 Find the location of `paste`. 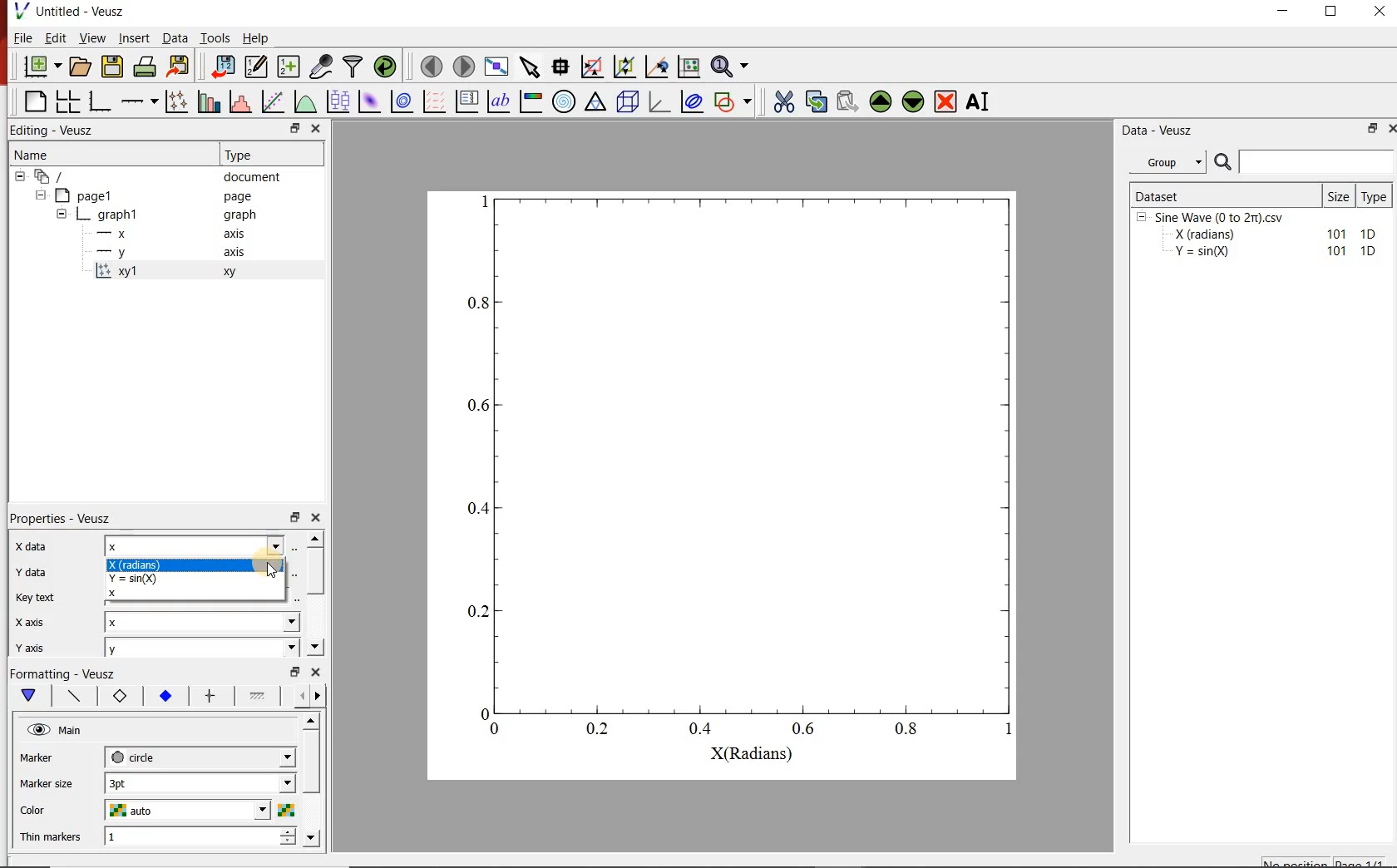

paste is located at coordinates (847, 101).